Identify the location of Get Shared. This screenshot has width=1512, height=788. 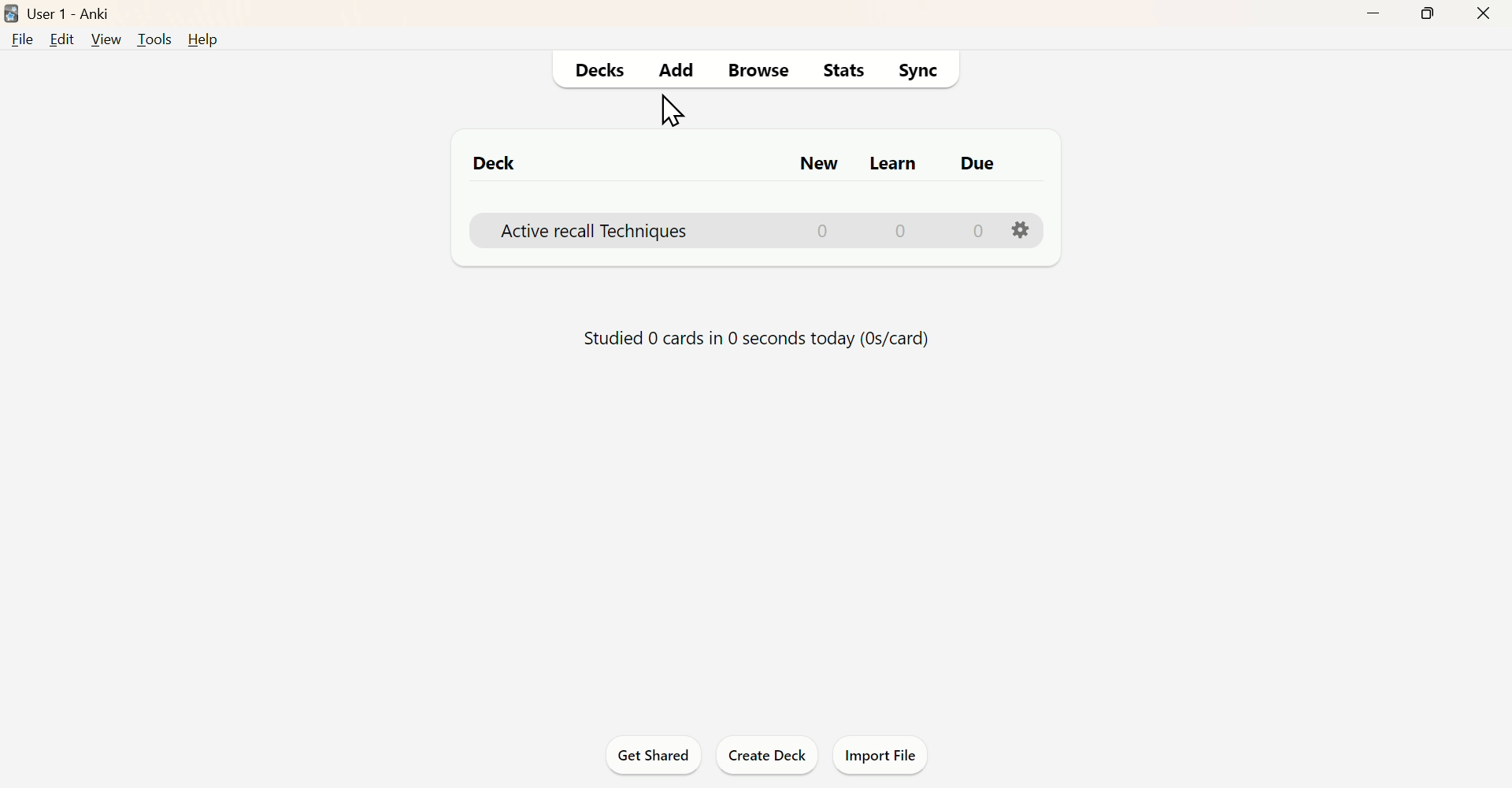
(648, 754).